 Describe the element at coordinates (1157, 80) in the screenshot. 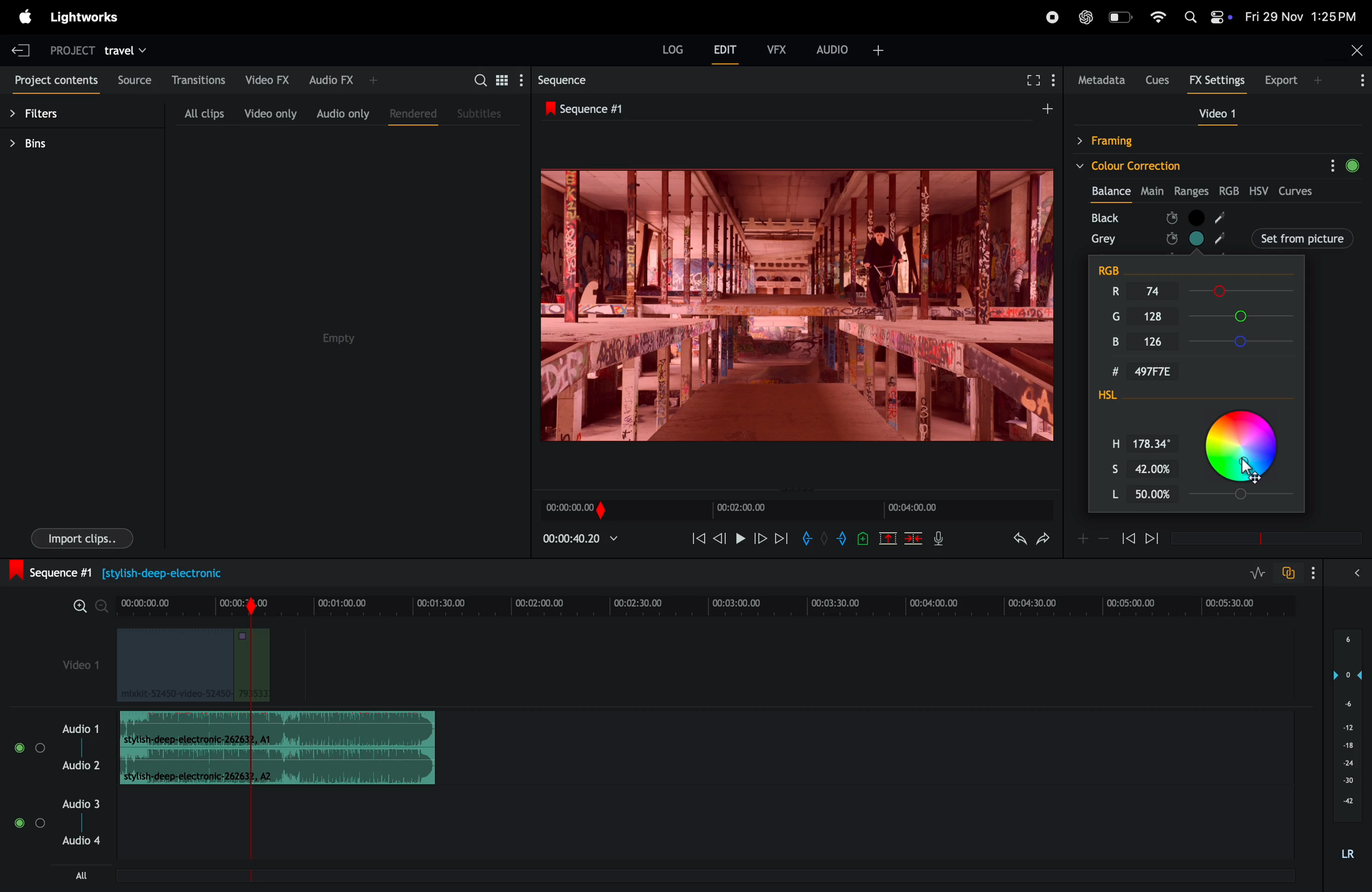

I see `cues` at that location.